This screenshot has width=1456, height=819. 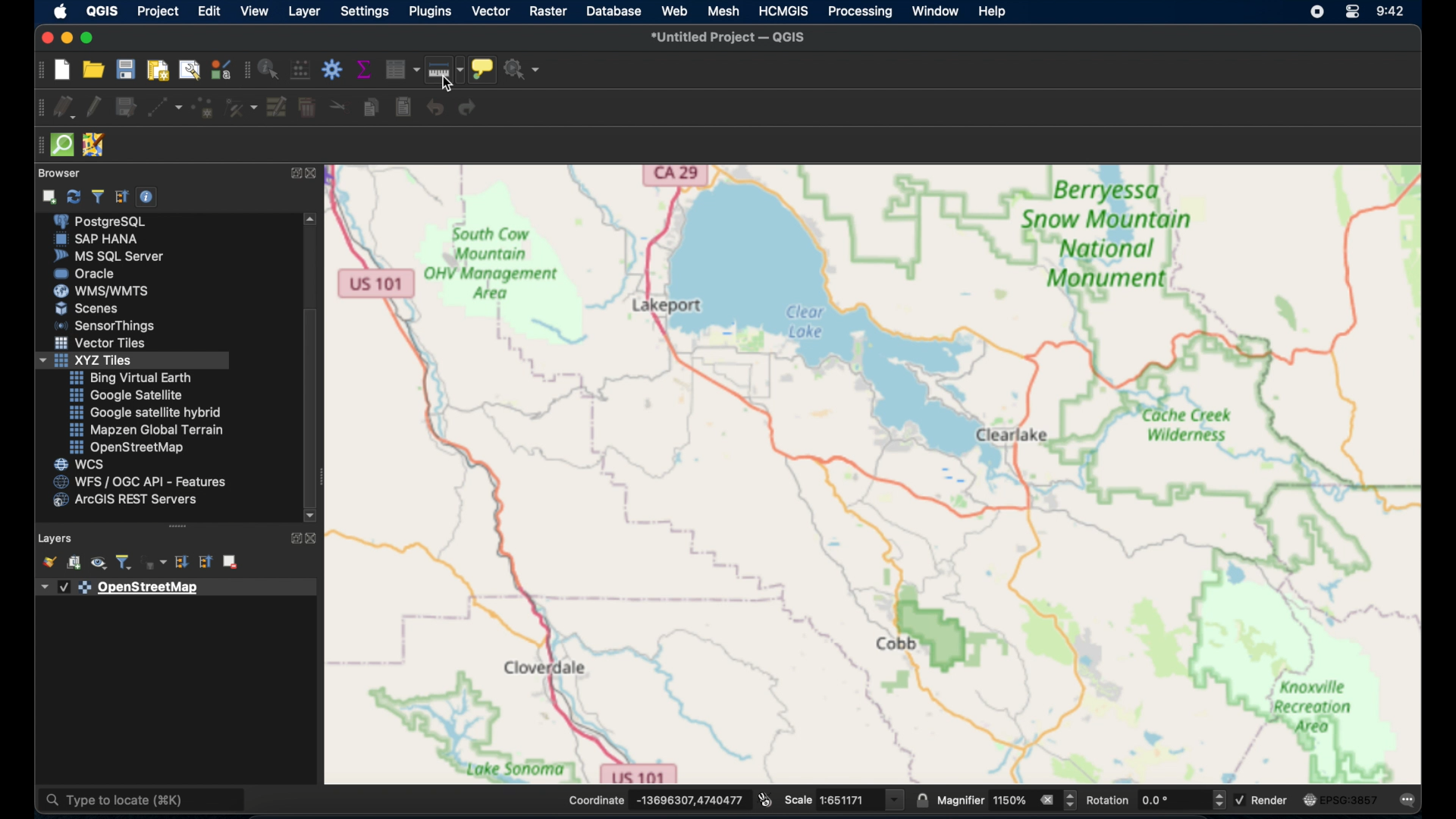 I want to click on browser, so click(x=63, y=171).